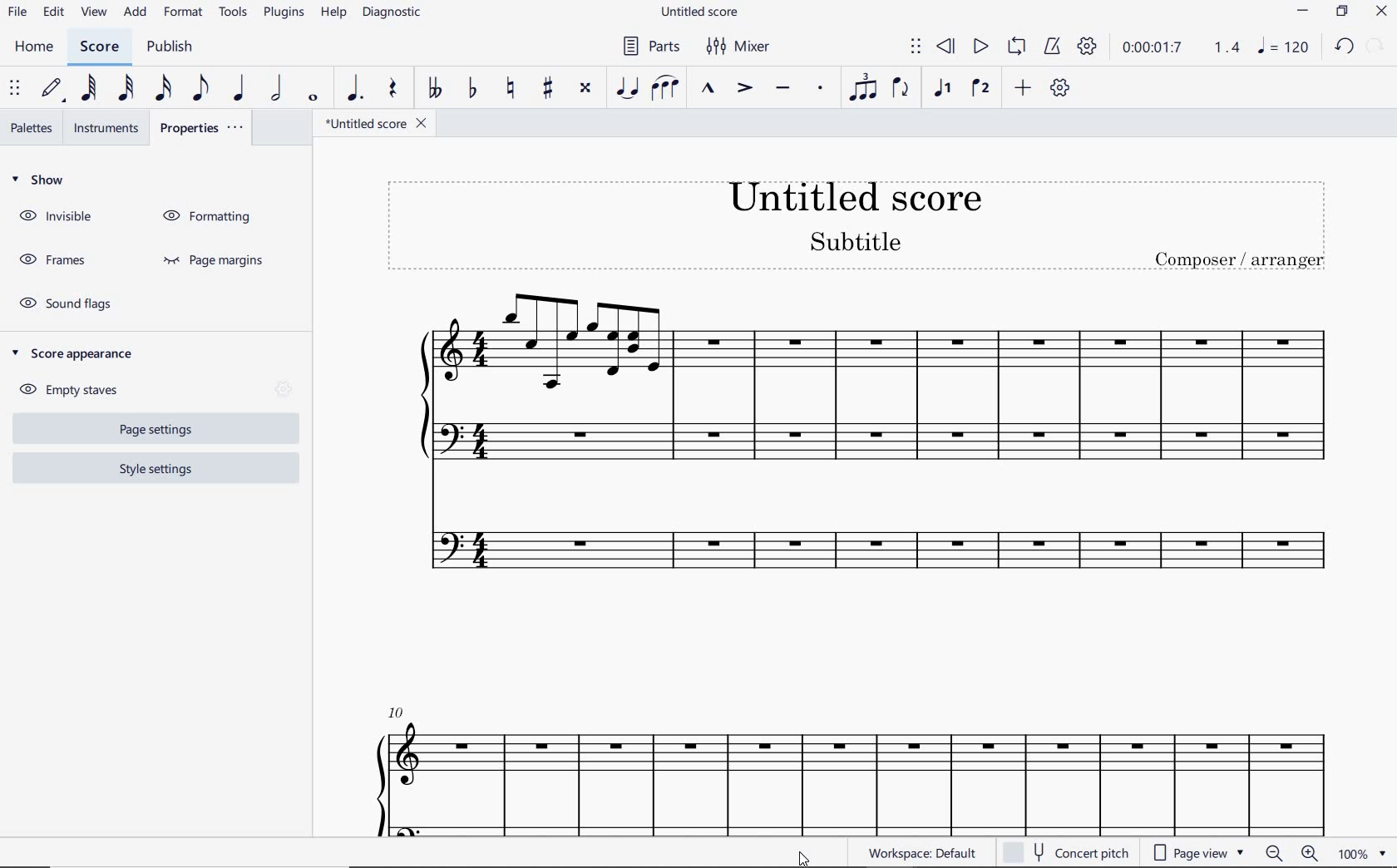 The height and width of the screenshot is (868, 1397). I want to click on CLOSE, so click(1380, 12).